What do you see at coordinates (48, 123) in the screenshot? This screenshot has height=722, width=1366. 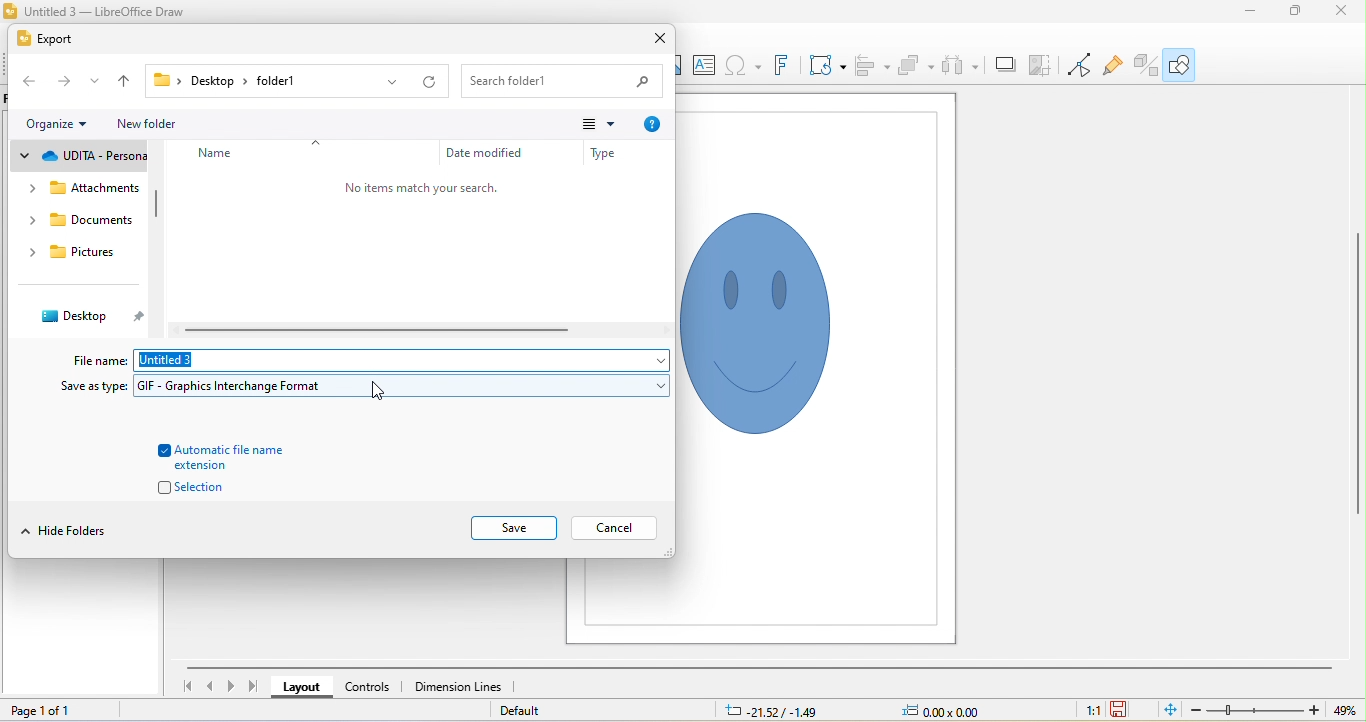 I see `organize` at bounding box center [48, 123].